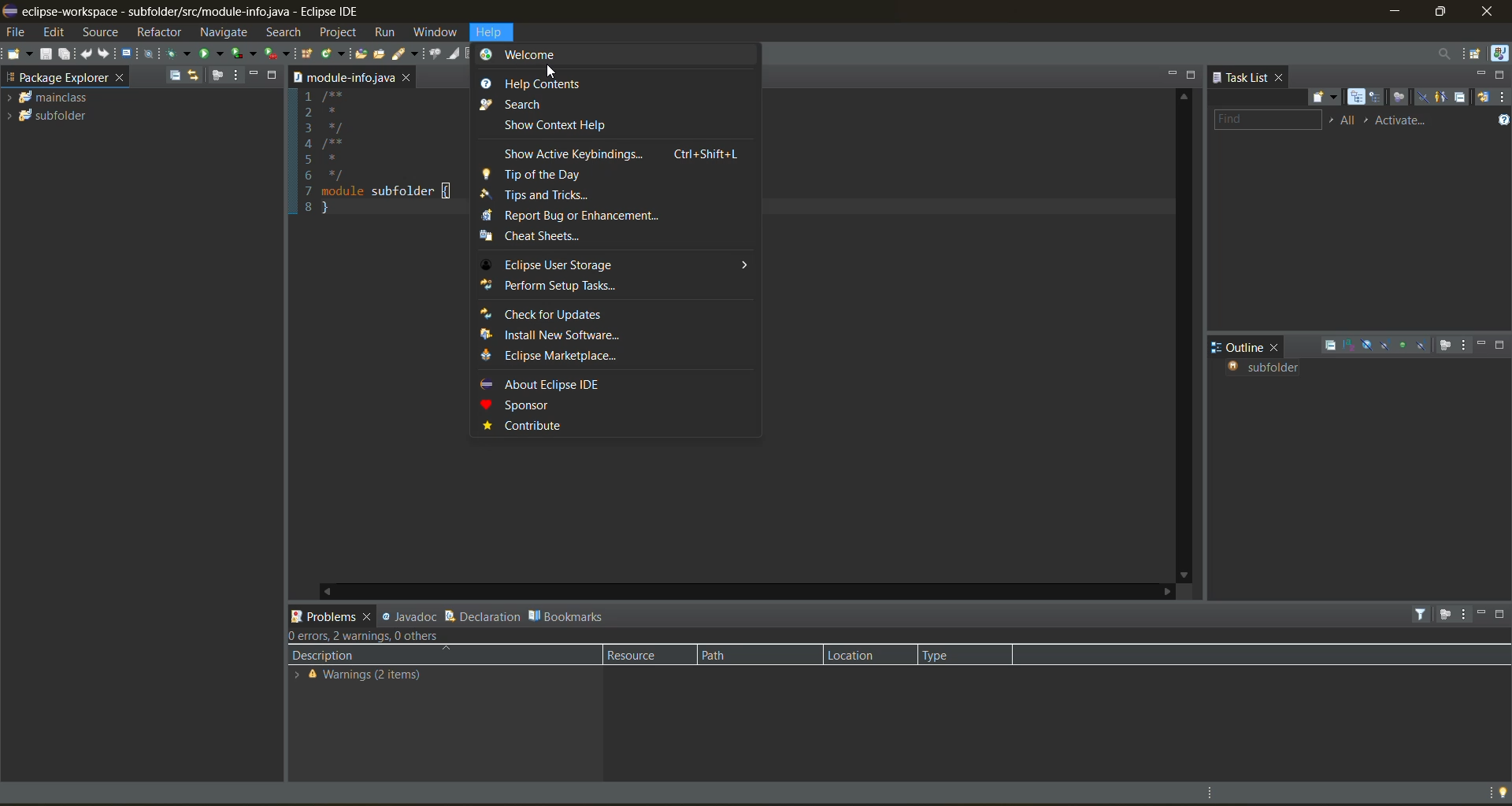 The image size is (1512, 806). Describe the element at coordinates (1447, 346) in the screenshot. I see `focus on active task` at that location.